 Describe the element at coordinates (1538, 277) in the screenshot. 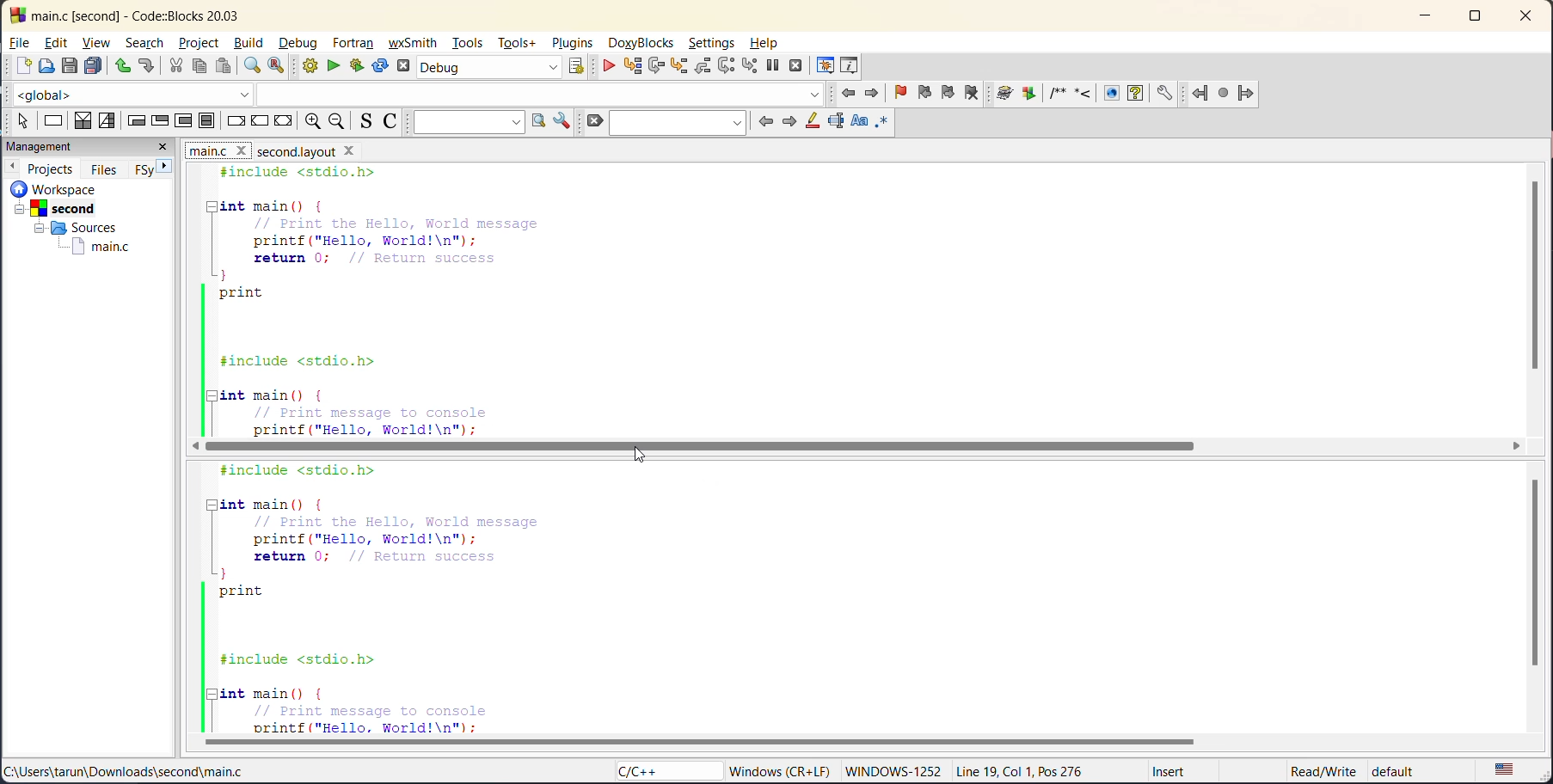

I see `vertical scroll bar` at that location.